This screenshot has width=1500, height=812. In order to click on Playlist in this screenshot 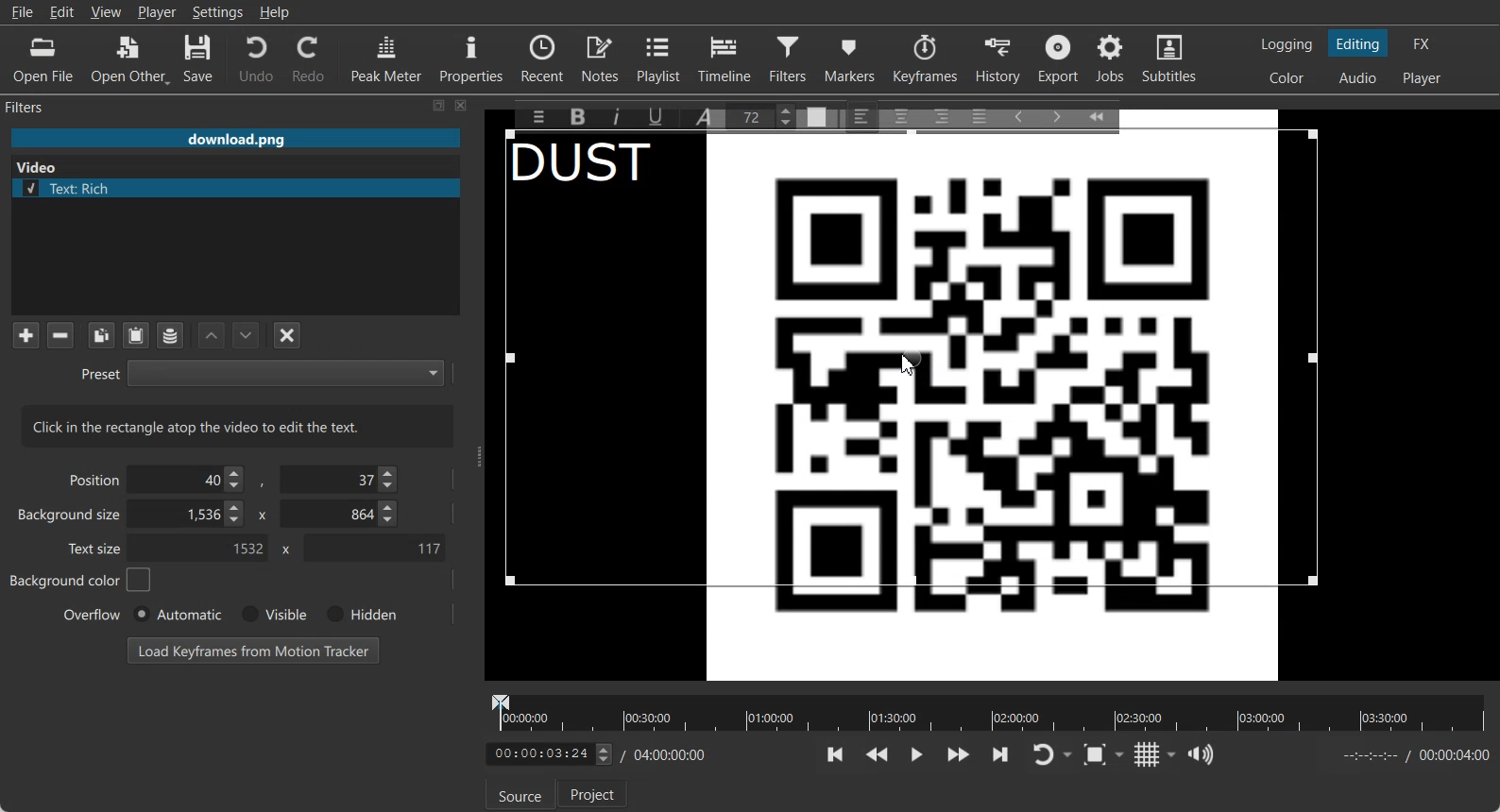, I will do `click(661, 58)`.